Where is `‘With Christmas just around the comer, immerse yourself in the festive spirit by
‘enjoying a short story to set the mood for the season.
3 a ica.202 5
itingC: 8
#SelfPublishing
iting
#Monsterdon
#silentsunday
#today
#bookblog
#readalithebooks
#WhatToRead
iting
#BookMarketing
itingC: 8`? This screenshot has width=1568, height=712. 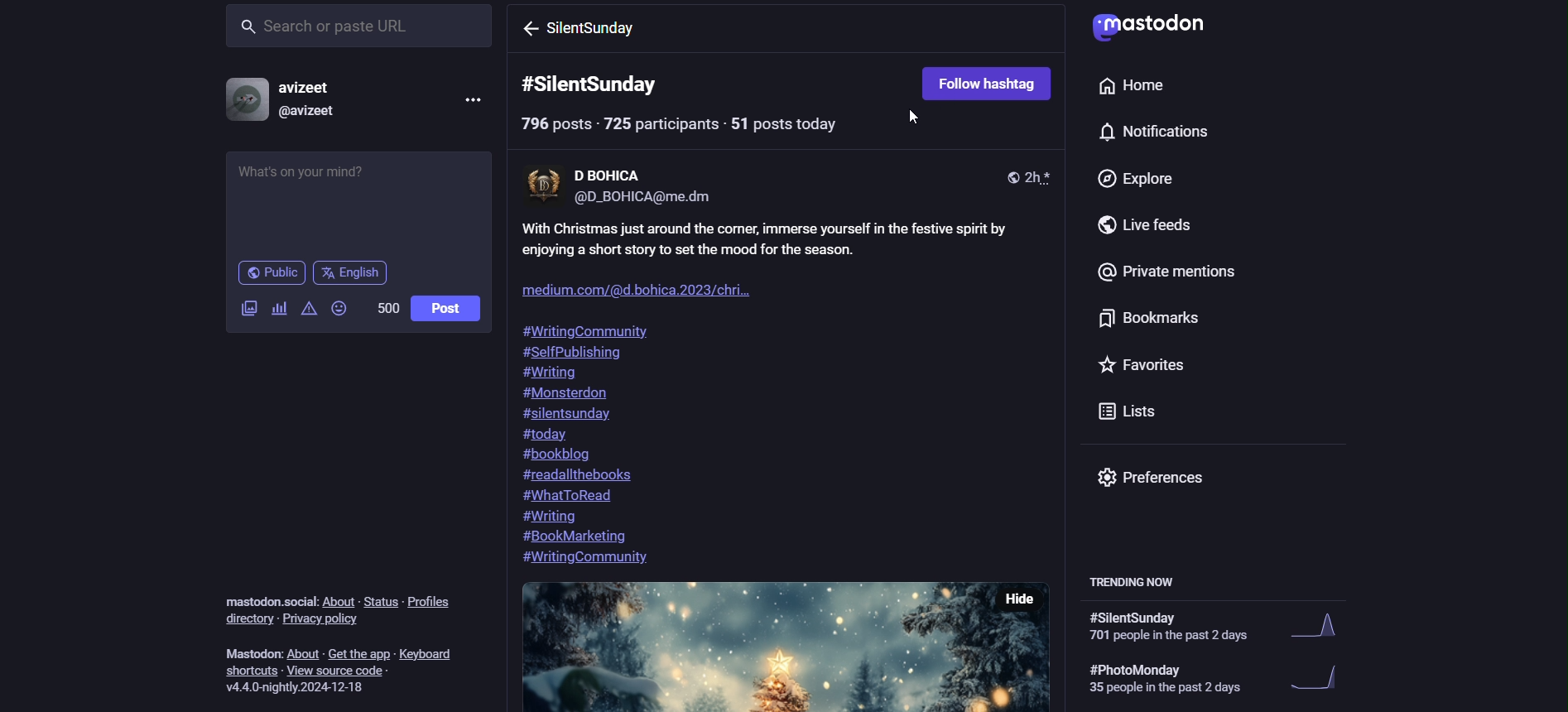 ‘With Christmas just around the comer, immerse yourself in the festive spirit by
‘enjoying a short story to set the mood for the season.
3 a ica.202 5
itingC: 8
#SelfPublishing
iting
#Monsterdon
#silentsunday
#today
#bookblog
#readalithebooks
#WhatToRead
iting
#BookMarketing
itingC: 8 is located at coordinates (791, 397).